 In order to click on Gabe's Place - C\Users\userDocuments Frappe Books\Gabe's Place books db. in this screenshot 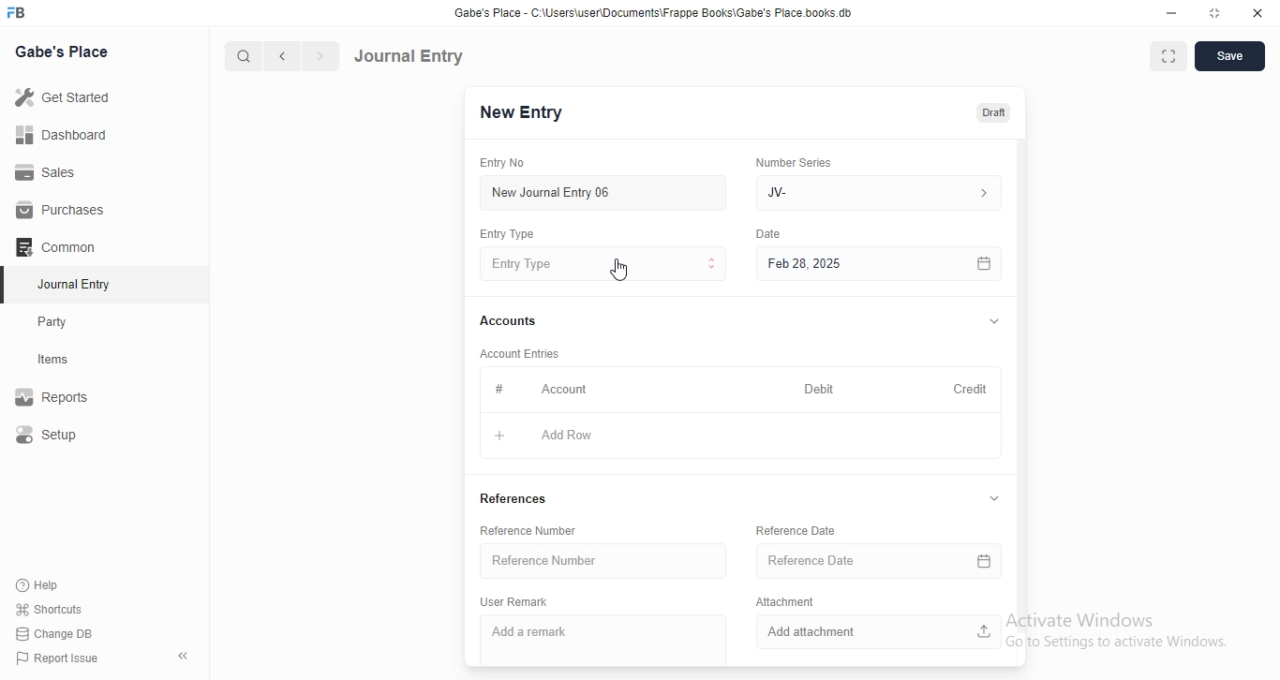, I will do `click(654, 13)`.